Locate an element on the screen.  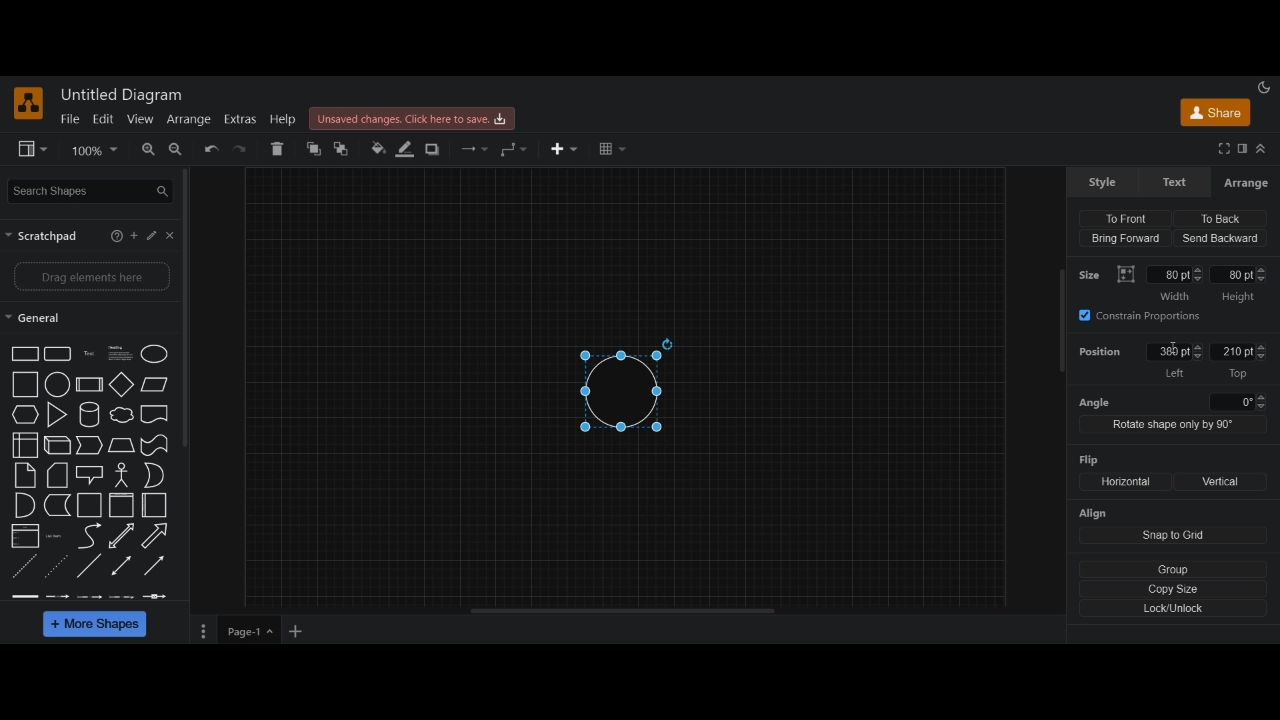
help is located at coordinates (283, 120).